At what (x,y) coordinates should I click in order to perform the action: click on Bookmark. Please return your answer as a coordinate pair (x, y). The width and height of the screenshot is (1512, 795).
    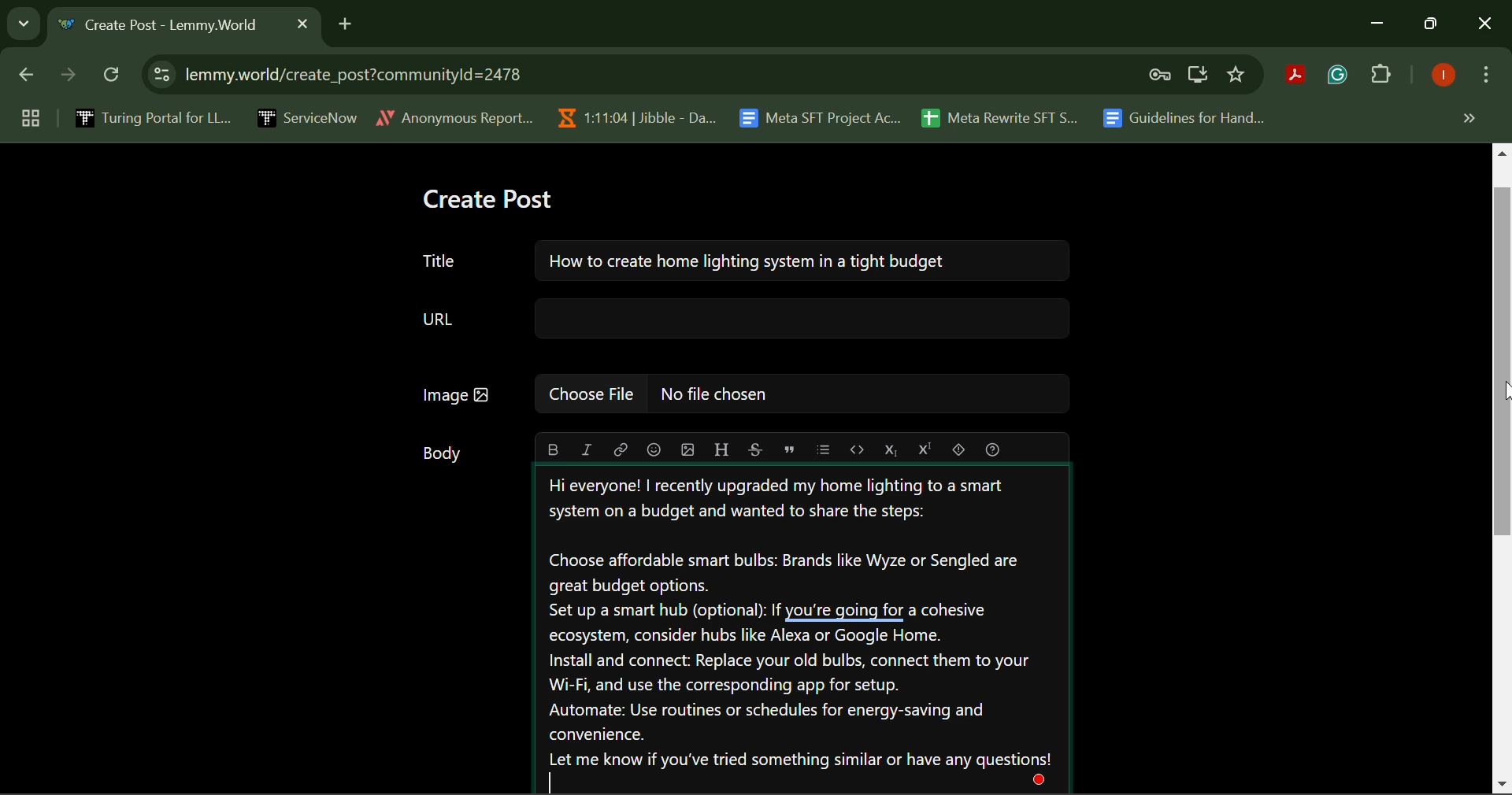
    Looking at the image, I should click on (1237, 75).